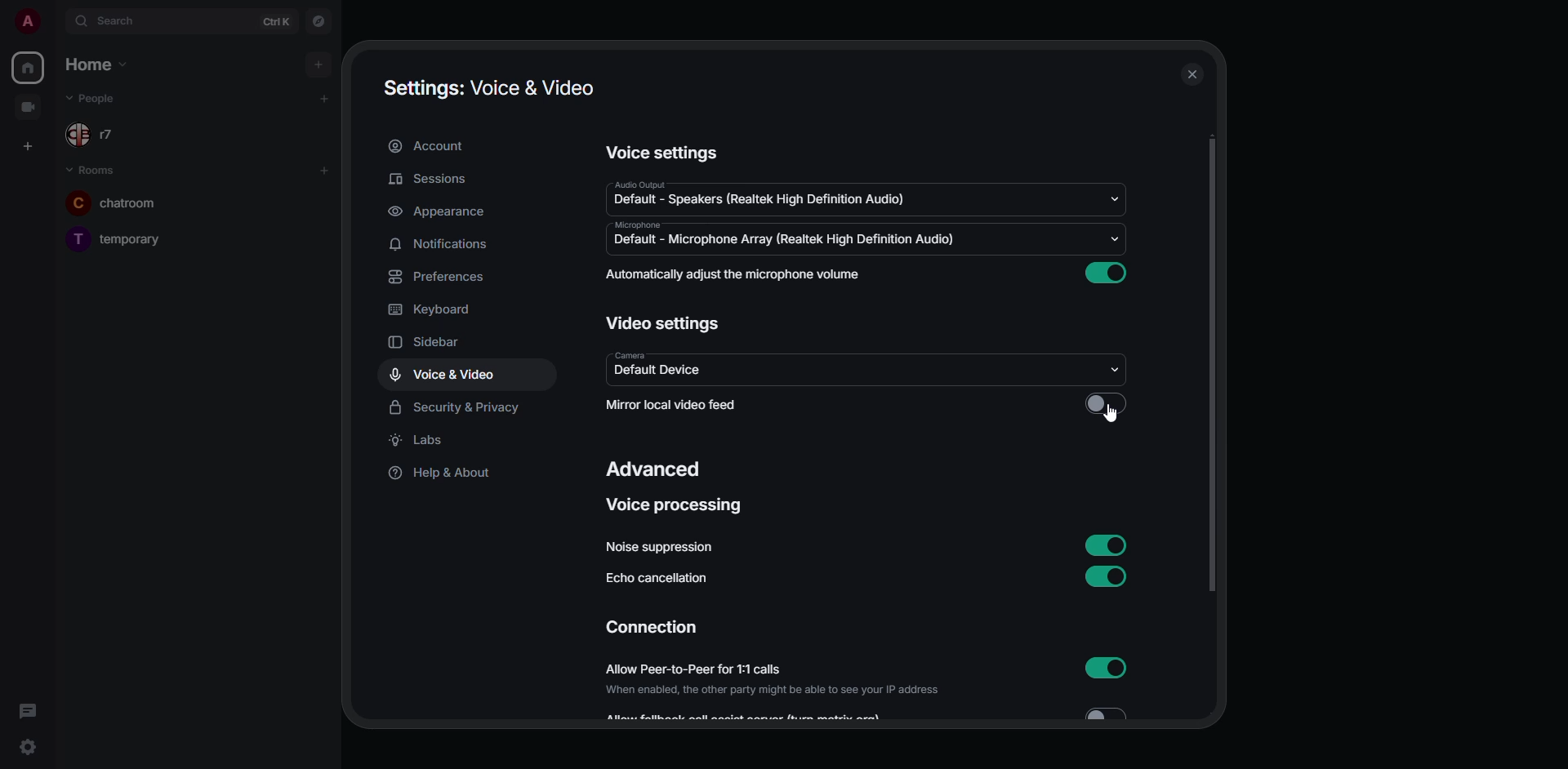 This screenshot has height=769, width=1568. What do you see at coordinates (318, 64) in the screenshot?
I see `add` at bounding box center [318, 64].